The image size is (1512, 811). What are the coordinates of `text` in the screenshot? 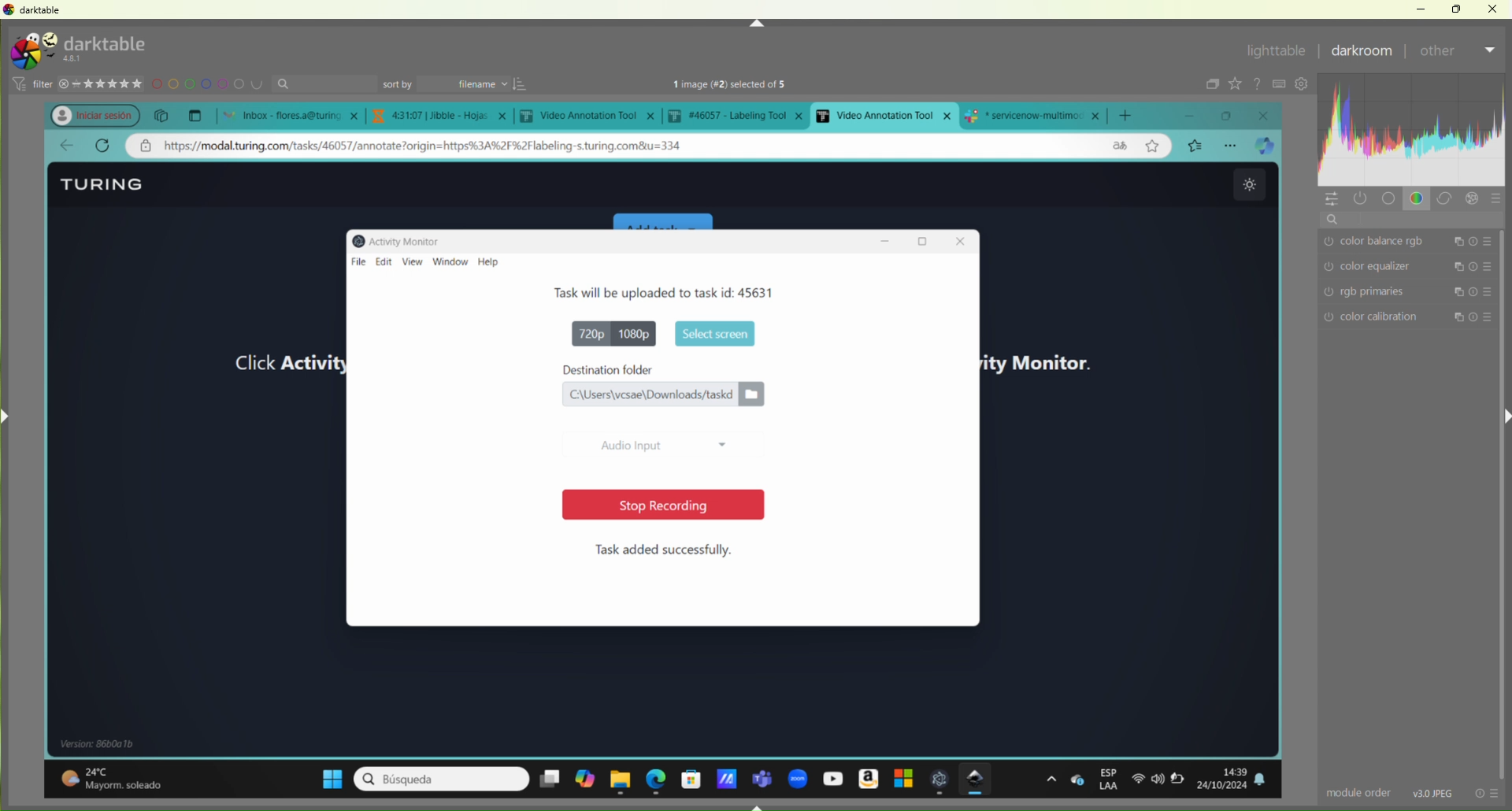 It's located at (747, 85).